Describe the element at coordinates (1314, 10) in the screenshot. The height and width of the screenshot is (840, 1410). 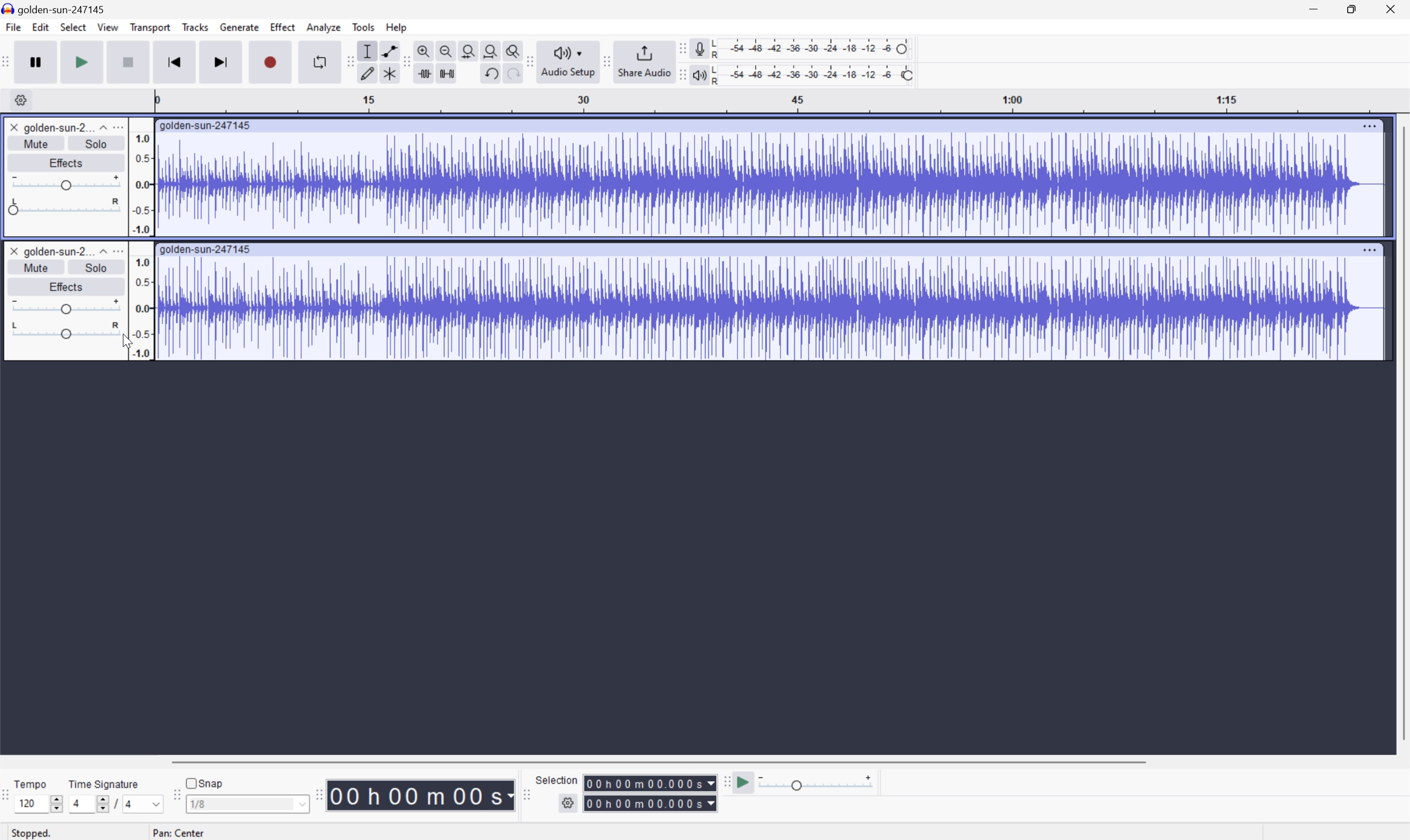
I see `Minimize` at that location.